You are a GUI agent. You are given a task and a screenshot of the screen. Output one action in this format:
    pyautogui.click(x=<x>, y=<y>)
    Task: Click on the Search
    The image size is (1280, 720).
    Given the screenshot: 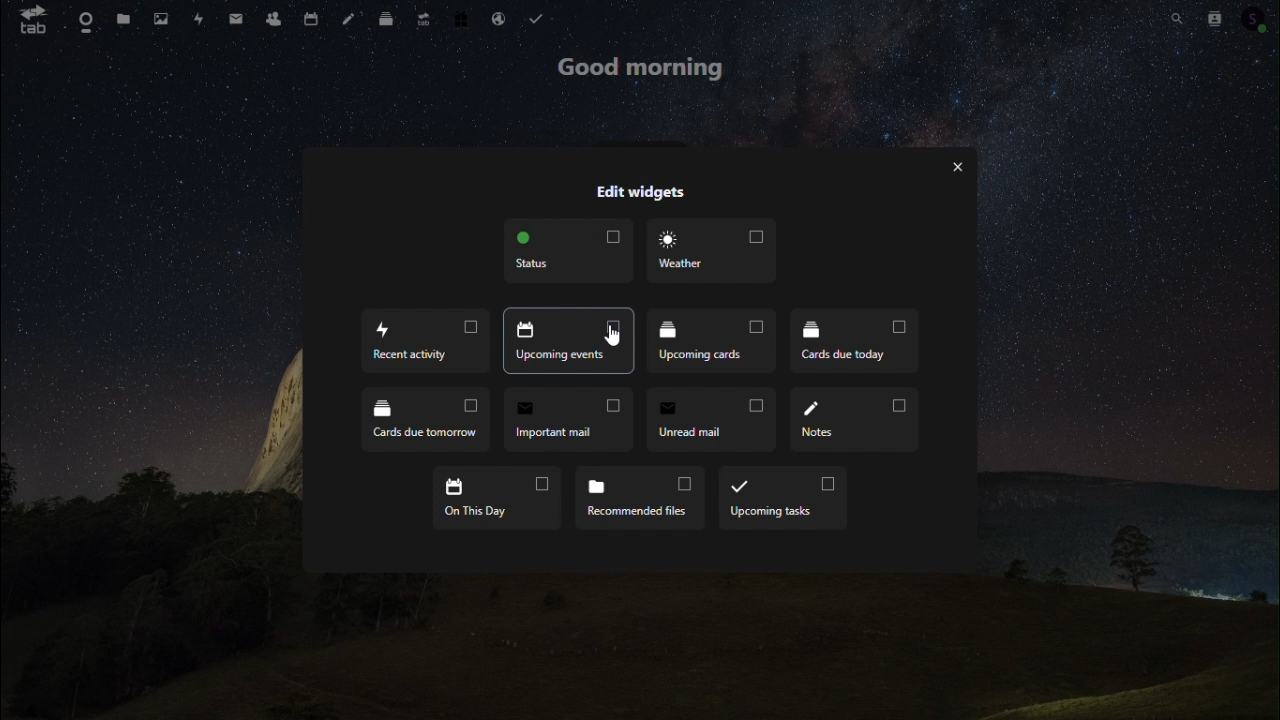 What is the action you would take?
    pyautogui.click(x=1175, y=15)
    